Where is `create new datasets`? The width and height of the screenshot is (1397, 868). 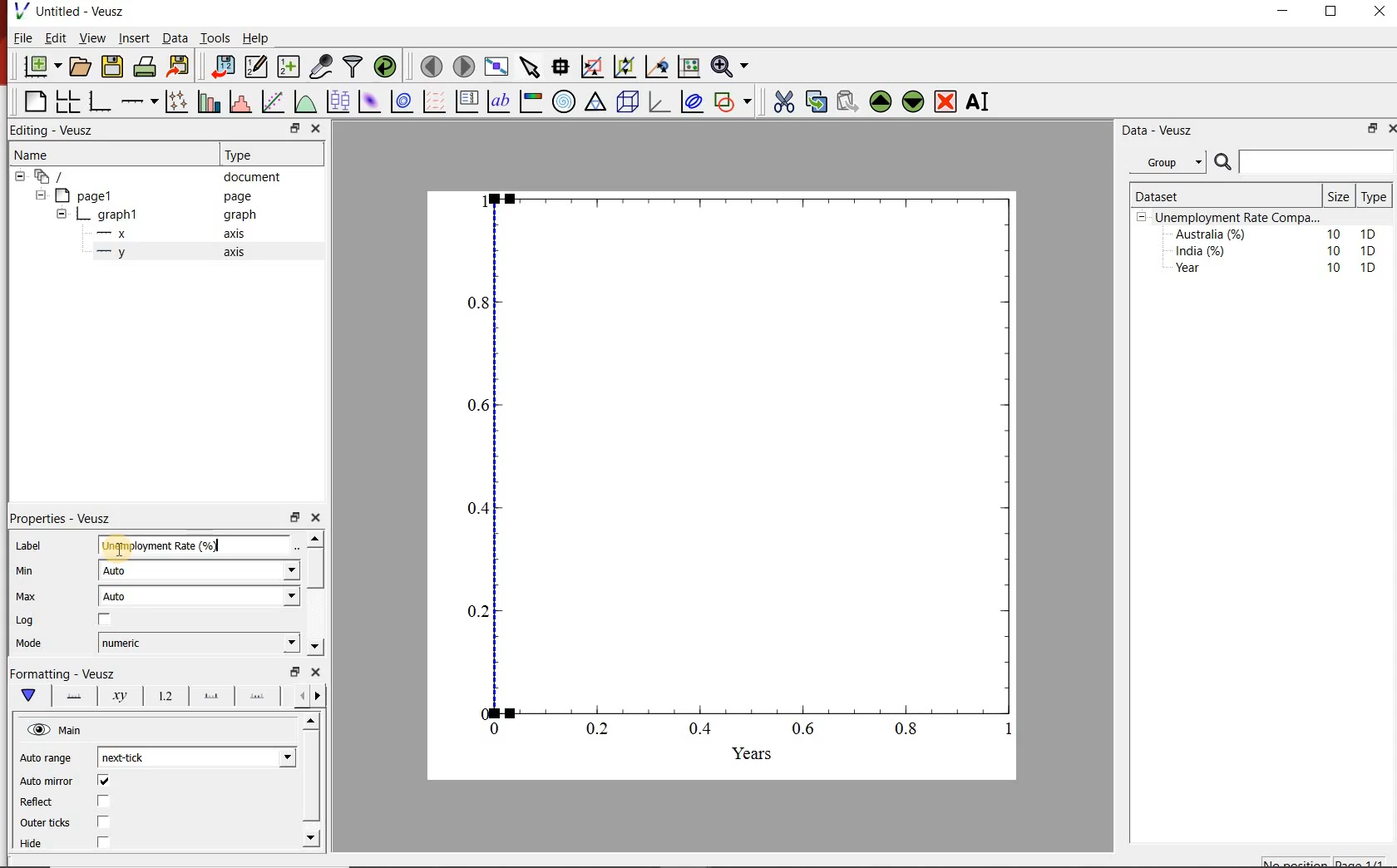
create new datasets is located at coordinates (288, 67).